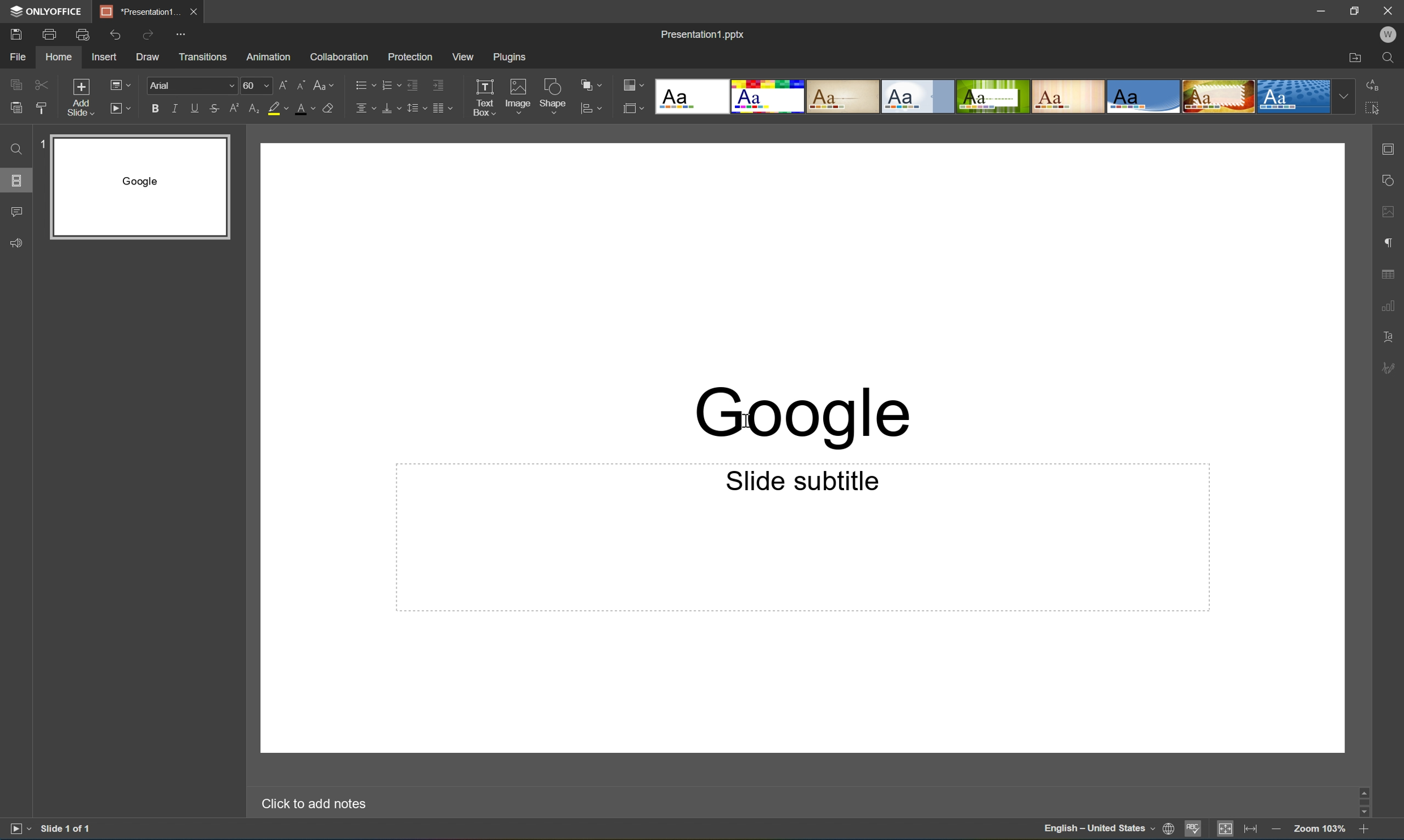 The image size is (1404, 840). Describe the element at coordinates (121, 85) in the screenshot. I see `Change slide layout` at that location.